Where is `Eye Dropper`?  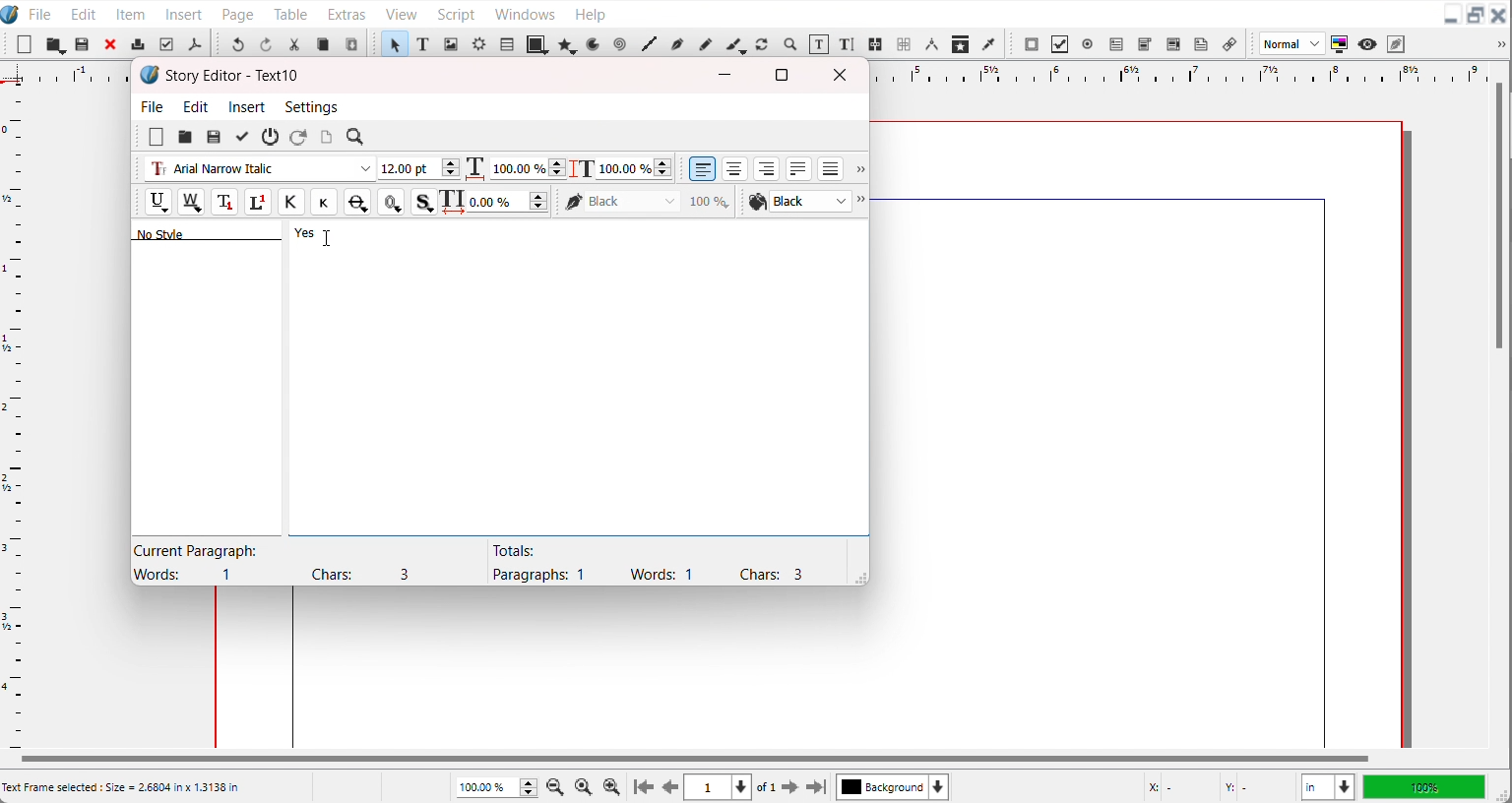
Eye Dropper is located at coordinates (990, 43).